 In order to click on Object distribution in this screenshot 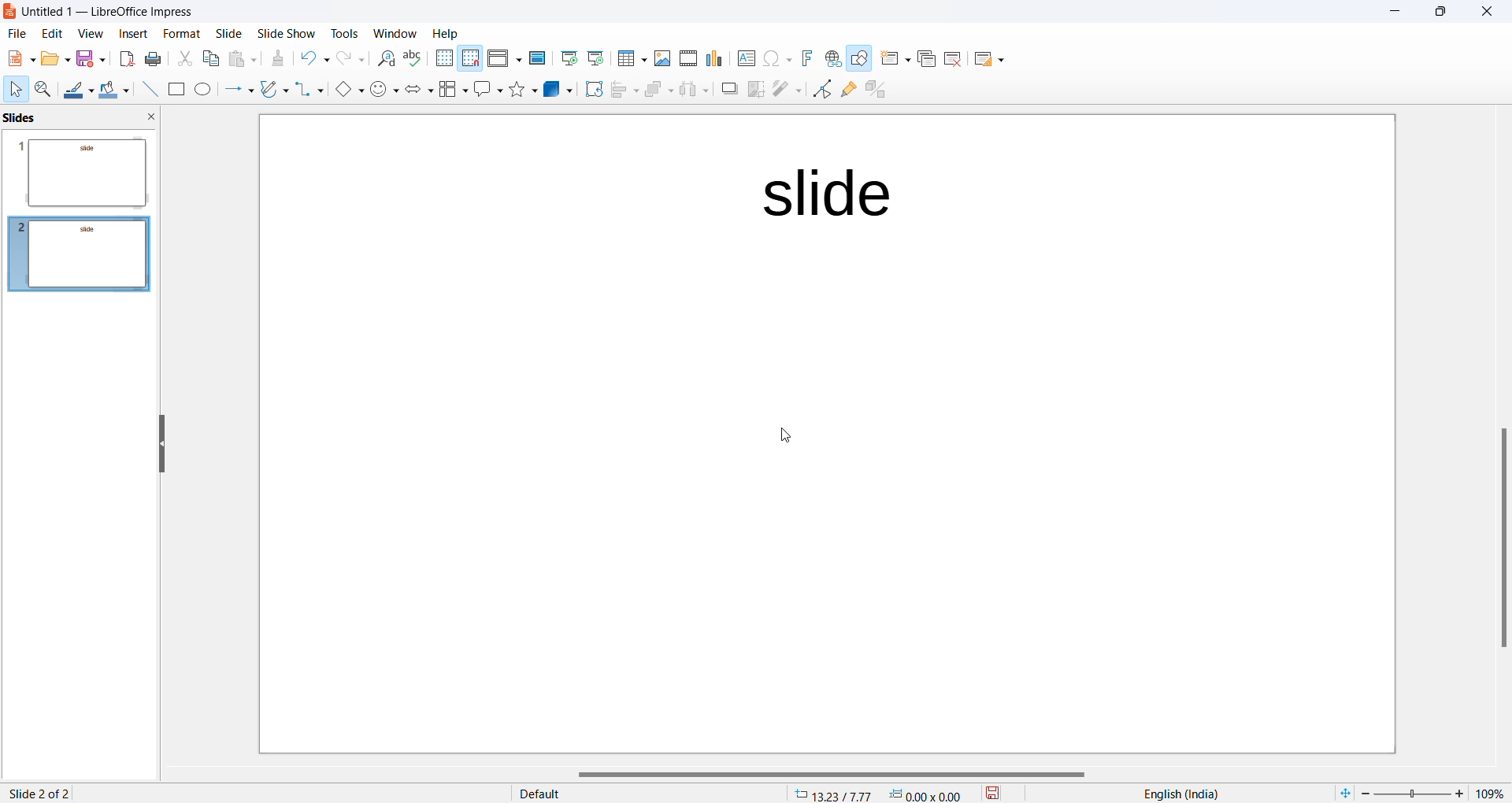, I will do `click(691, 90)`.